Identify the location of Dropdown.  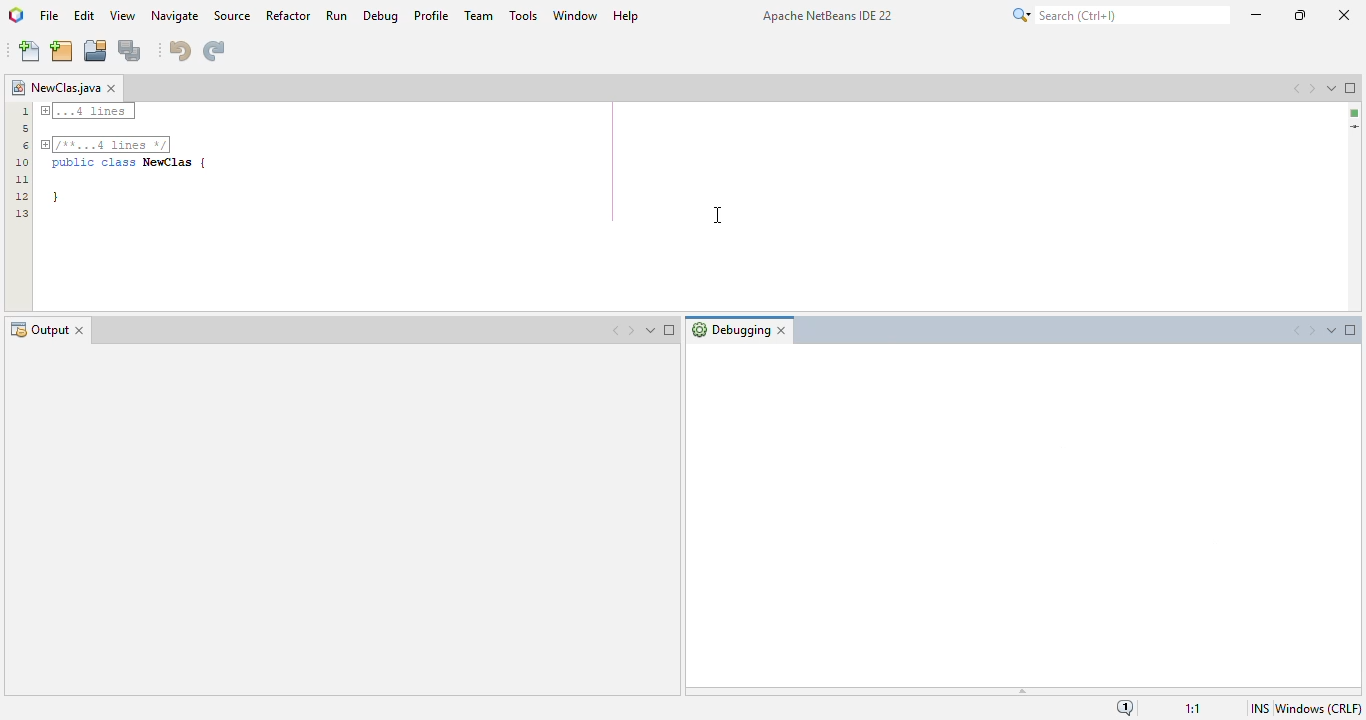
(1329, 331).